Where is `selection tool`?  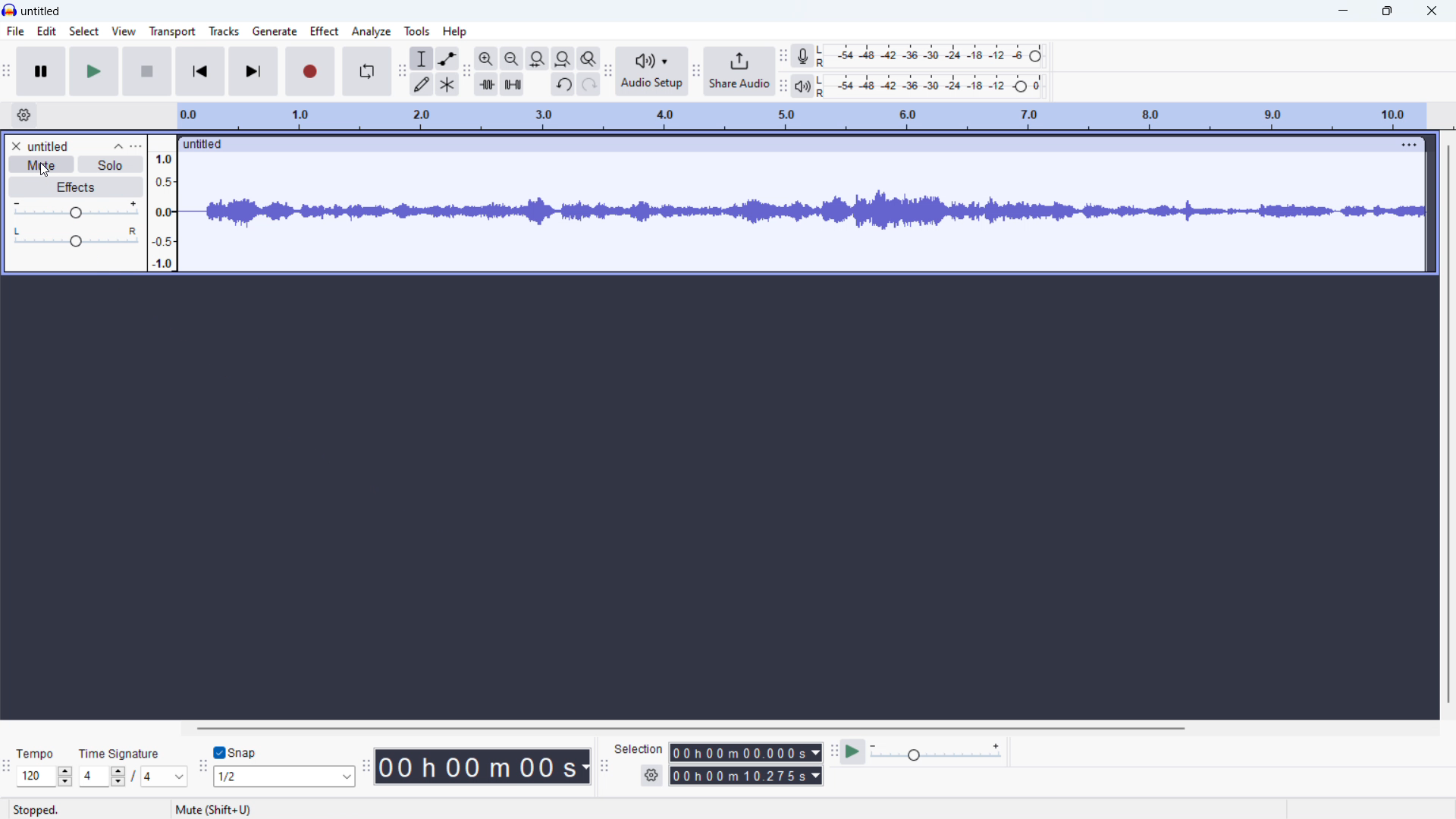
selection tool is located at coordinates (422, 58).